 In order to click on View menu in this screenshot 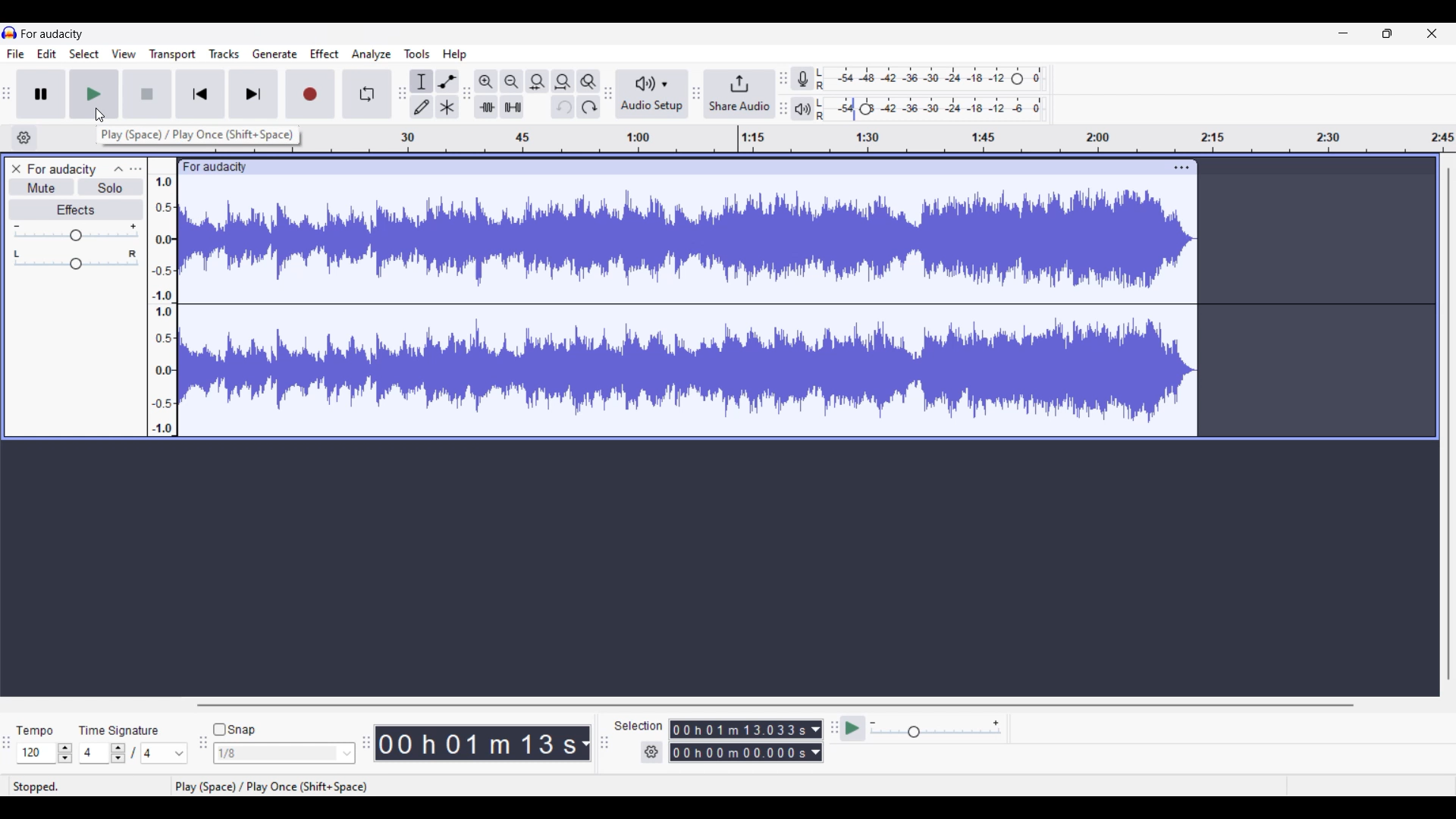, I will do `click(124, 52)`.